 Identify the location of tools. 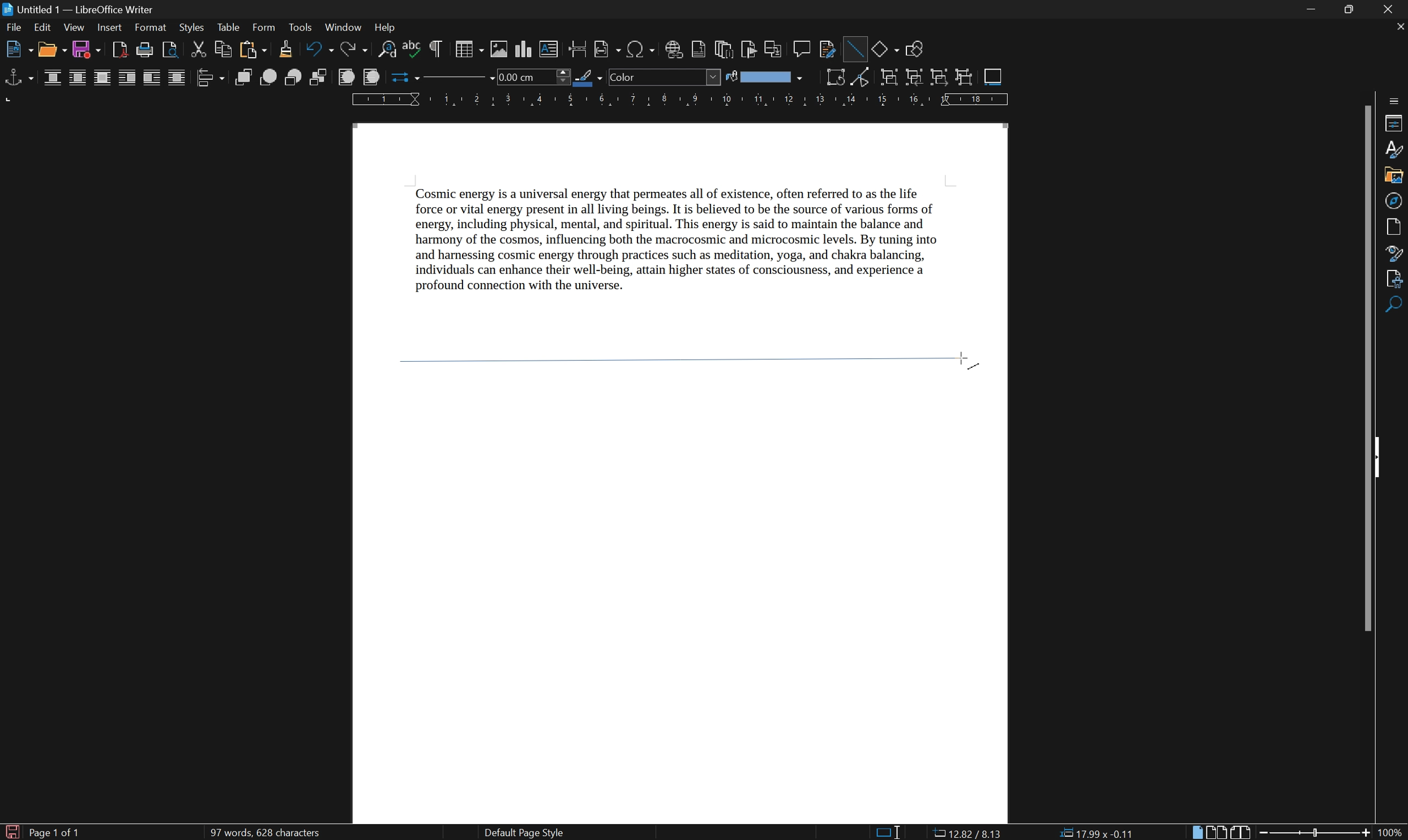
(301, 28).